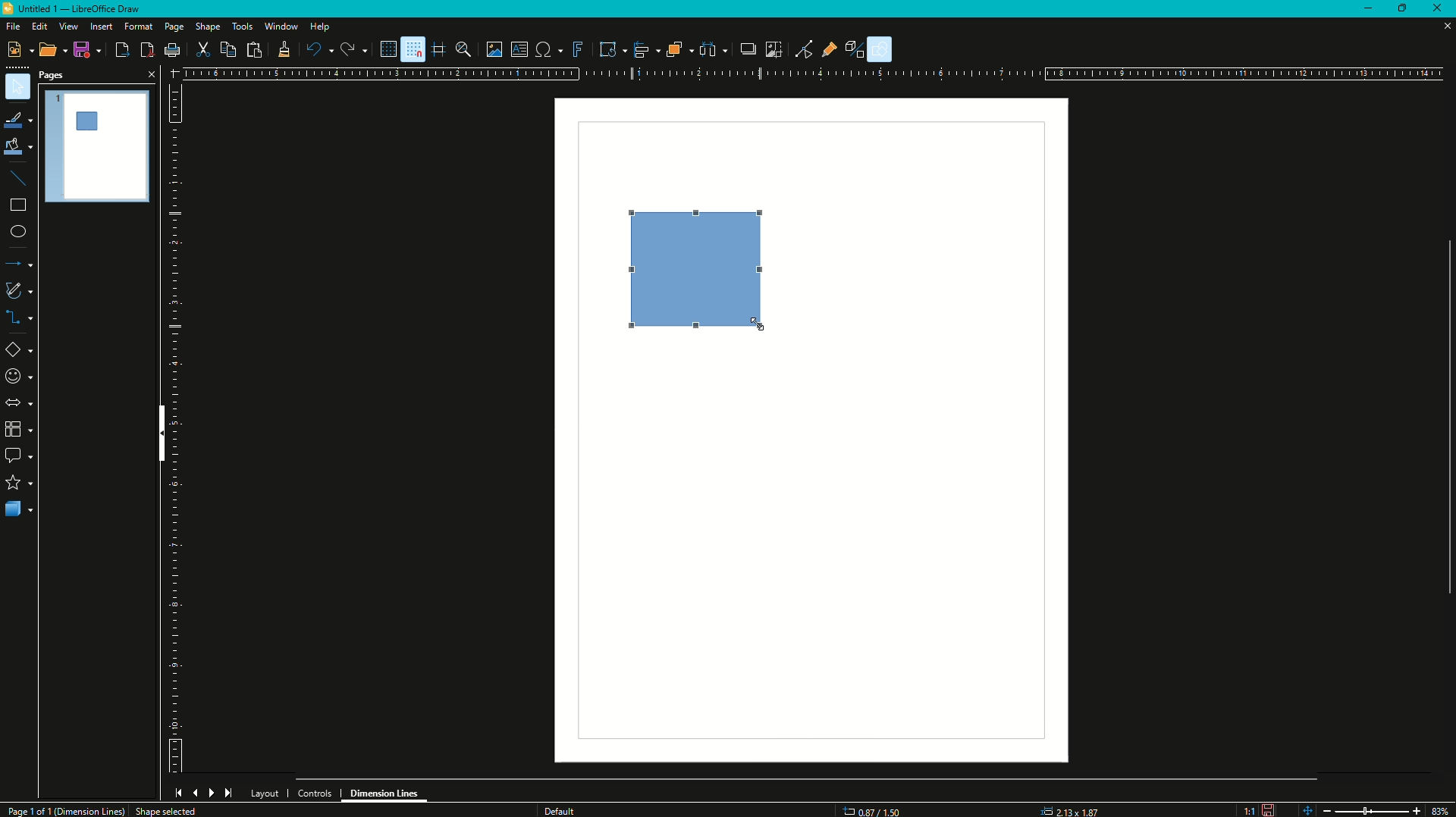 This screenshot has height=817, width=1456. What do you see at coordinates (158, 436) in the screenshot?
I see `Hide` at bounding box center [158, 436].